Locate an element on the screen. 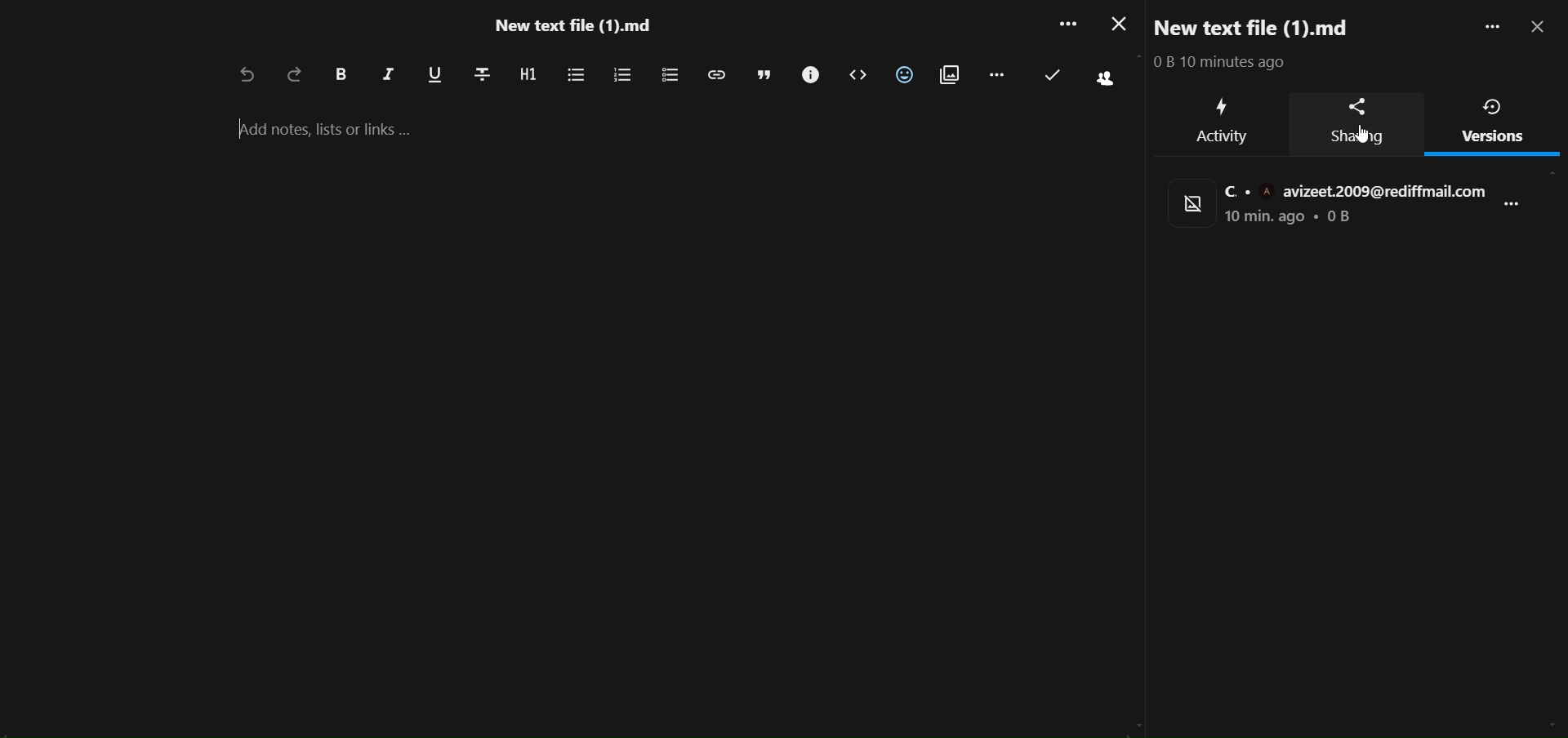  display picture is located at coordinates (1182, 201).